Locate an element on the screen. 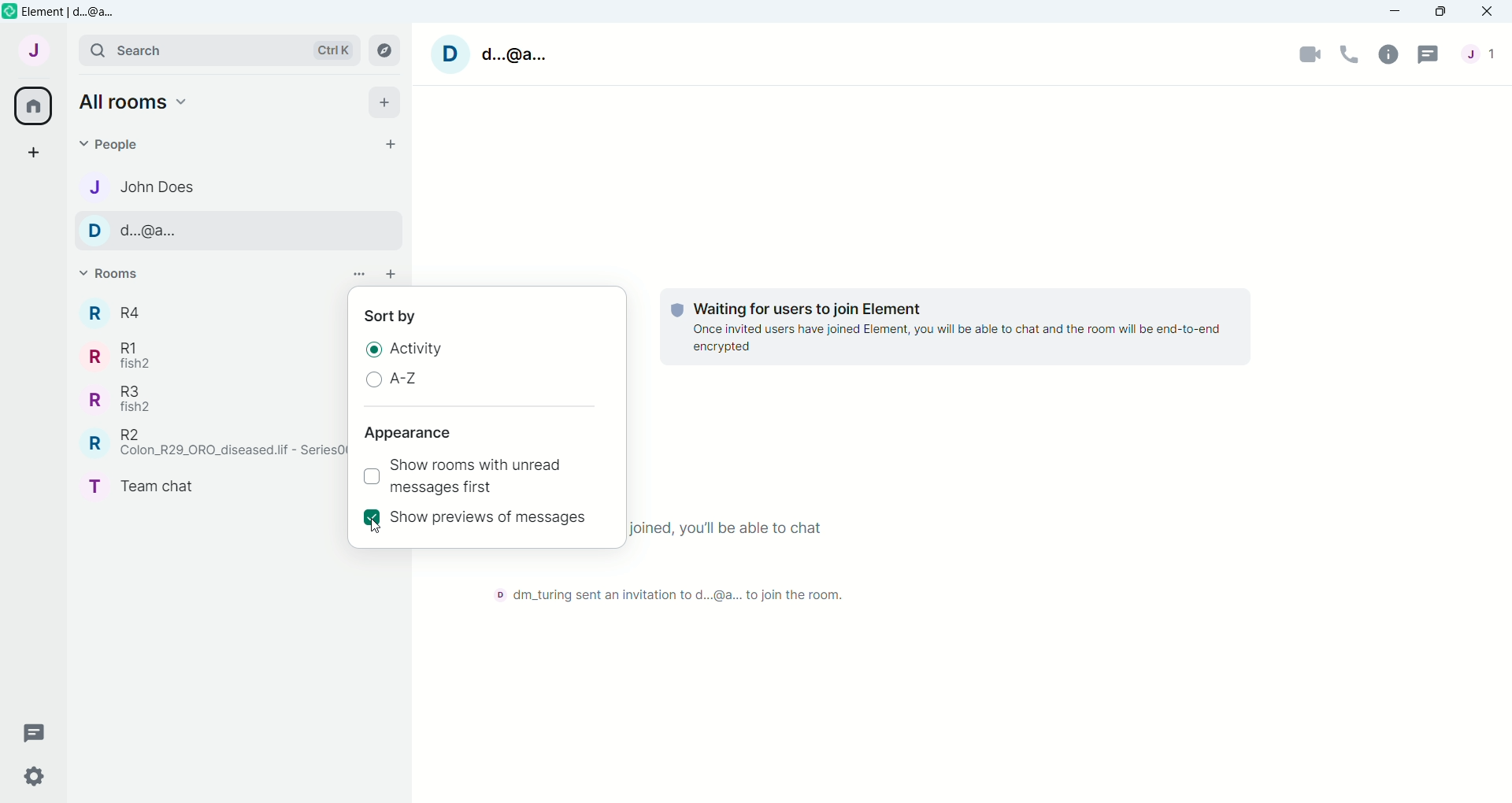 The image size is (1512, 803). Close is located at coordinates (1488, 12).